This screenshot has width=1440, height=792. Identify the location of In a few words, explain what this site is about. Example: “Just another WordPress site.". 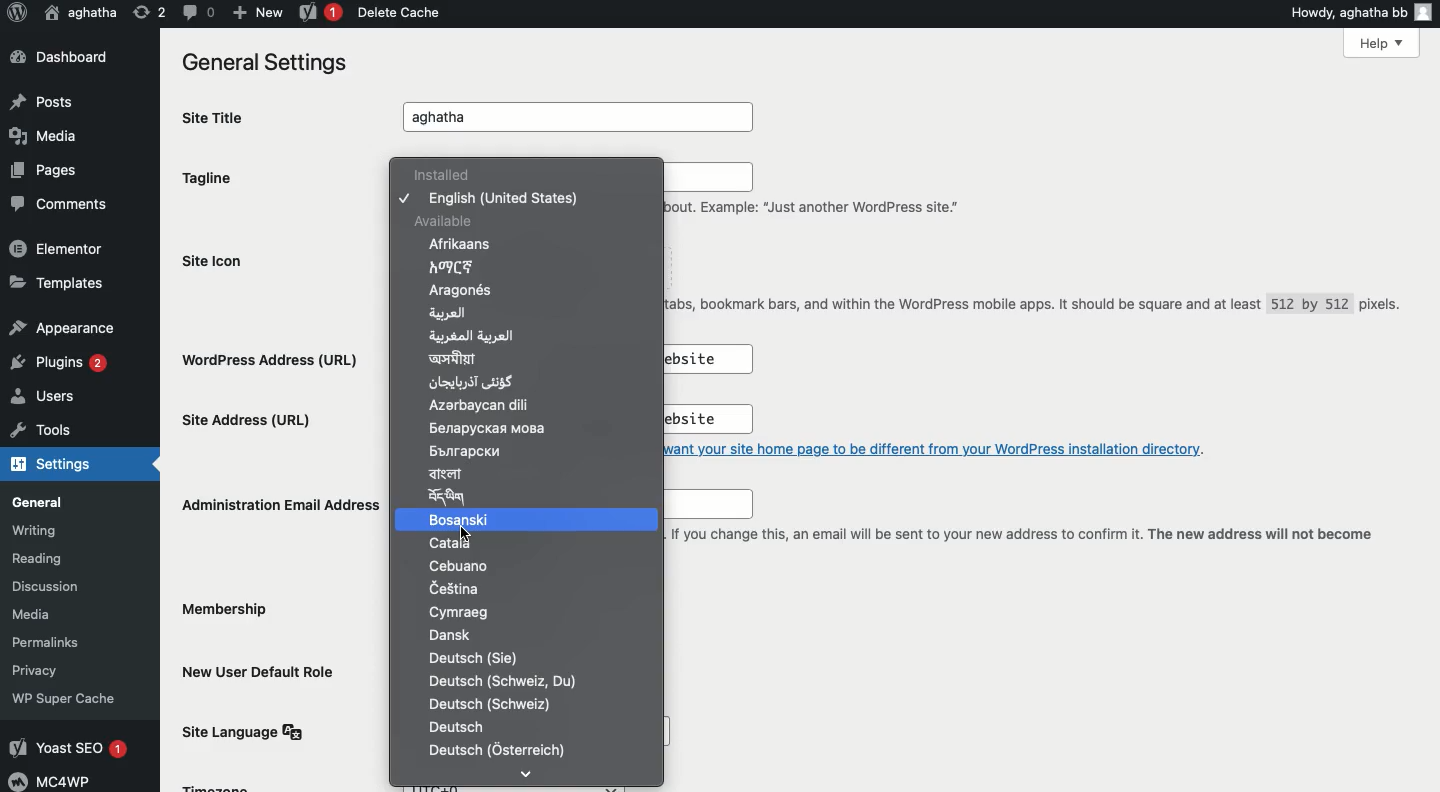
(687, 191).